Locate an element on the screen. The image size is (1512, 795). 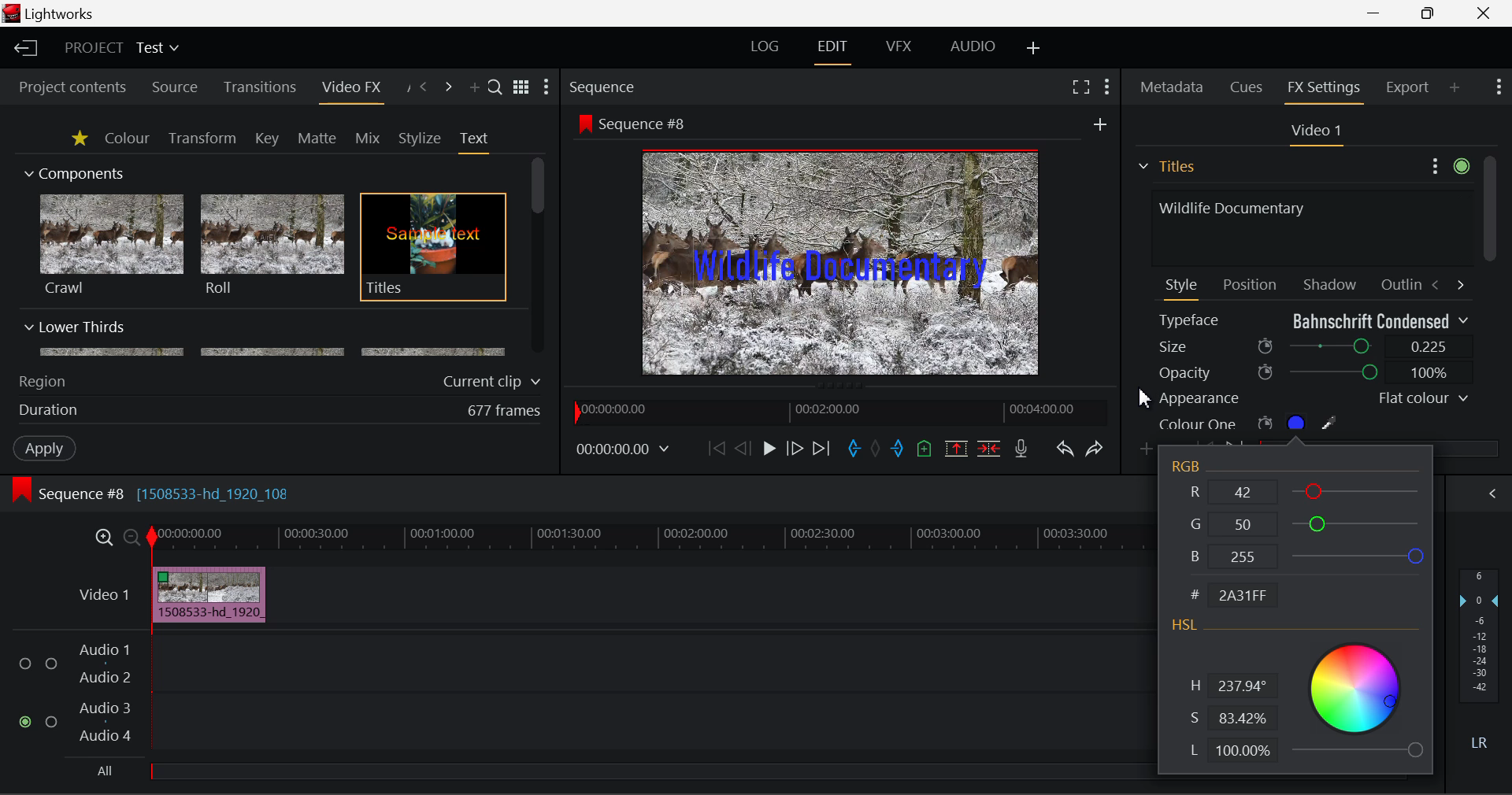
Full Screen is located at coordinates (1081, 86).